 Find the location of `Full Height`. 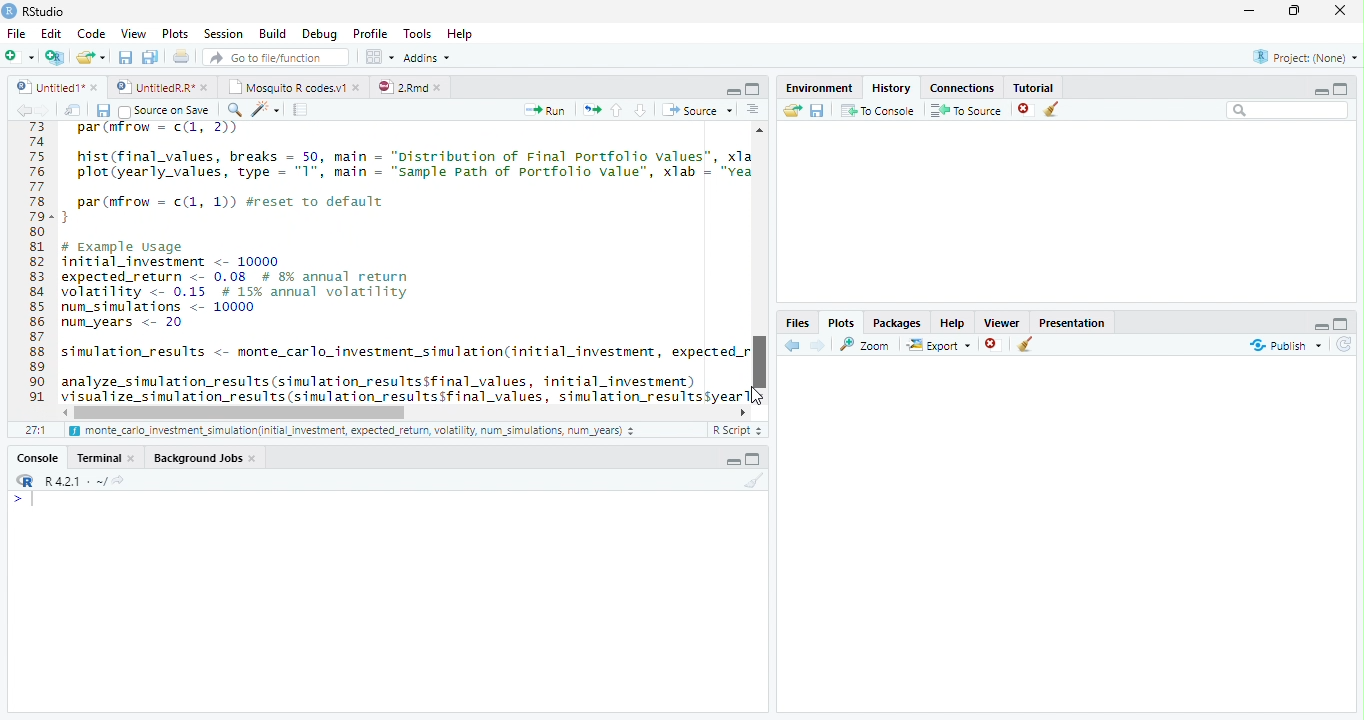

Full Height is located at coordinates (1342, 87).